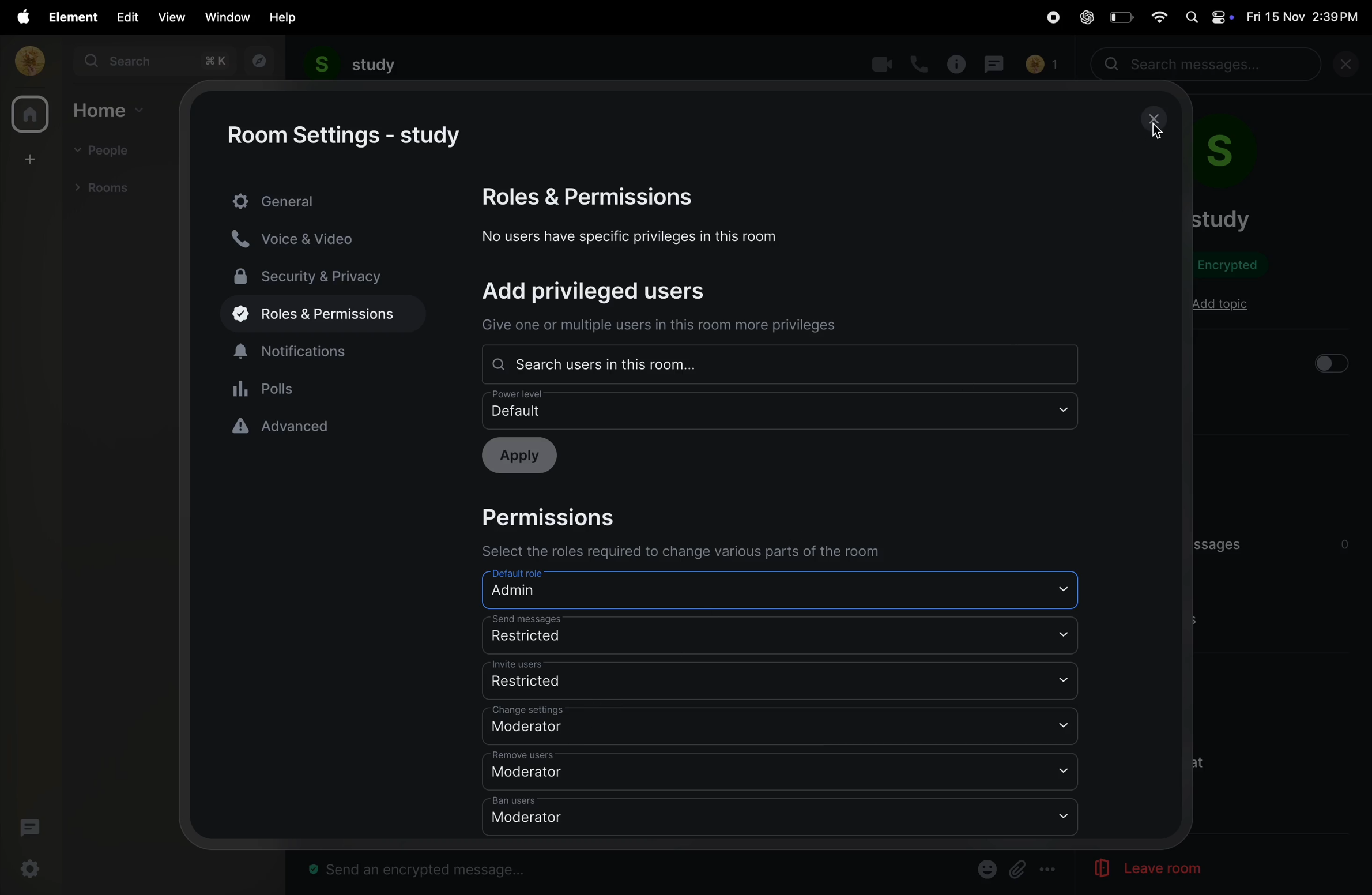  What do you see at coordinates (29, 116) in the screenshot?
I see `home ` at bounding box center [29, 116].